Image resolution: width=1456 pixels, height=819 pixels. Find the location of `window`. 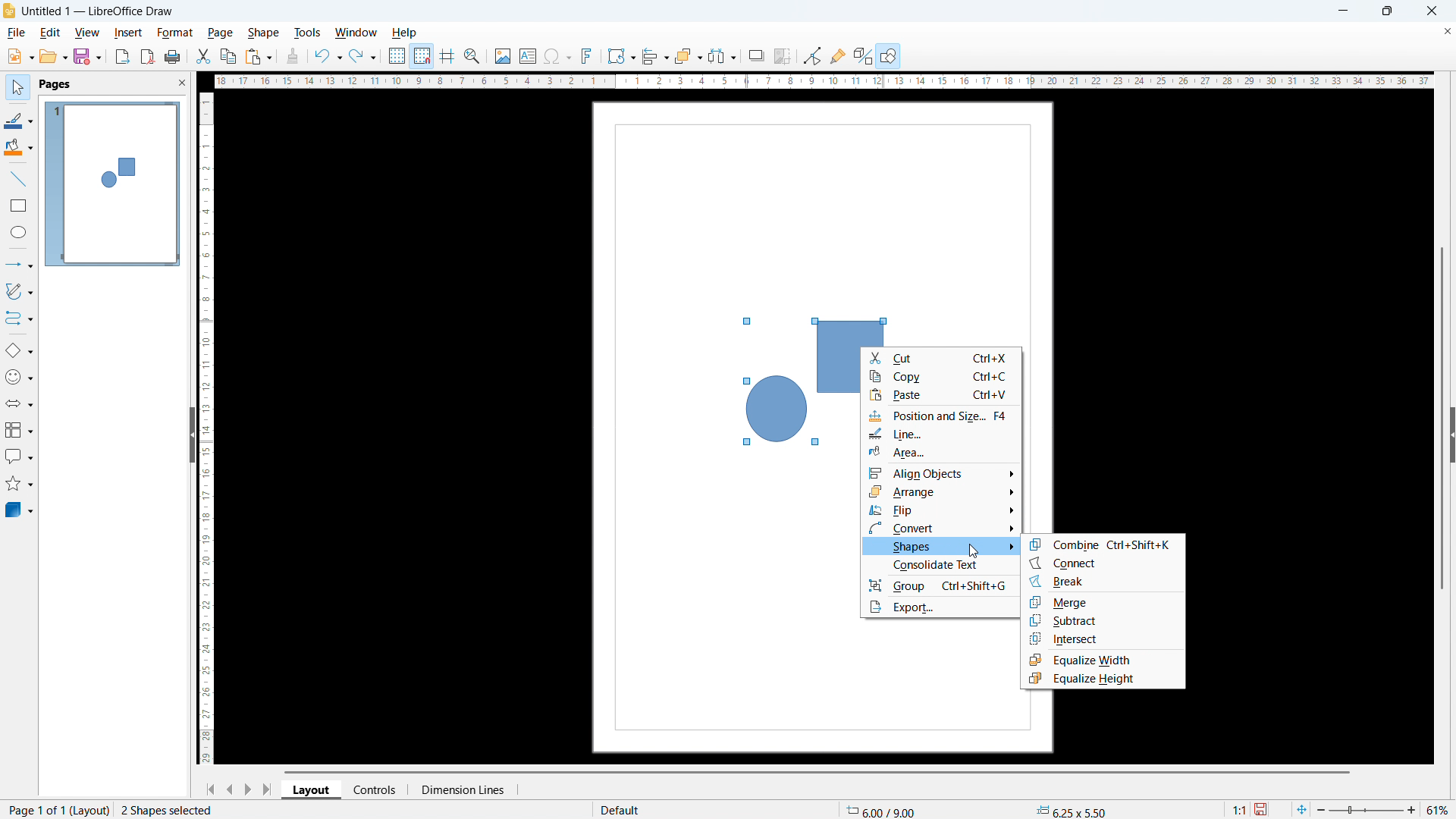

window is located at coordinates (356, 33).